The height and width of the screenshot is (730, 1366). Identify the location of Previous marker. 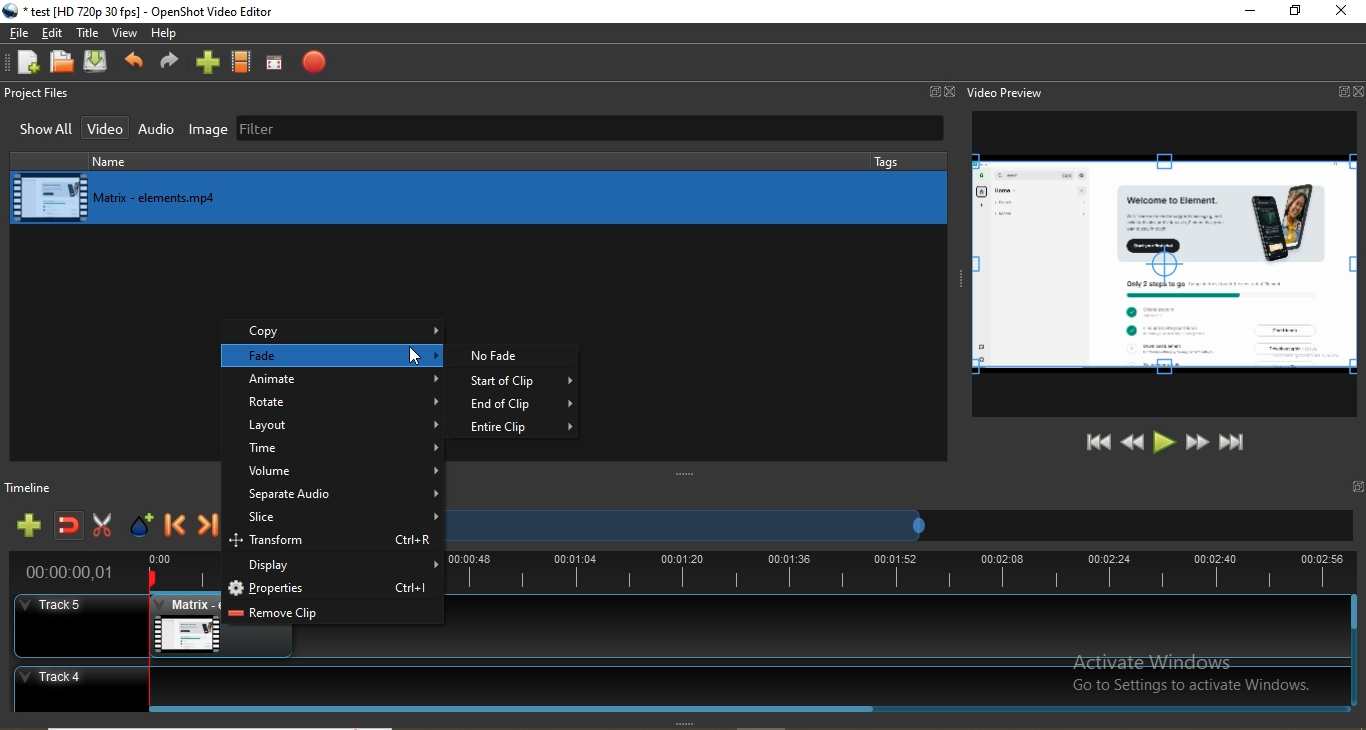
(176, 529).